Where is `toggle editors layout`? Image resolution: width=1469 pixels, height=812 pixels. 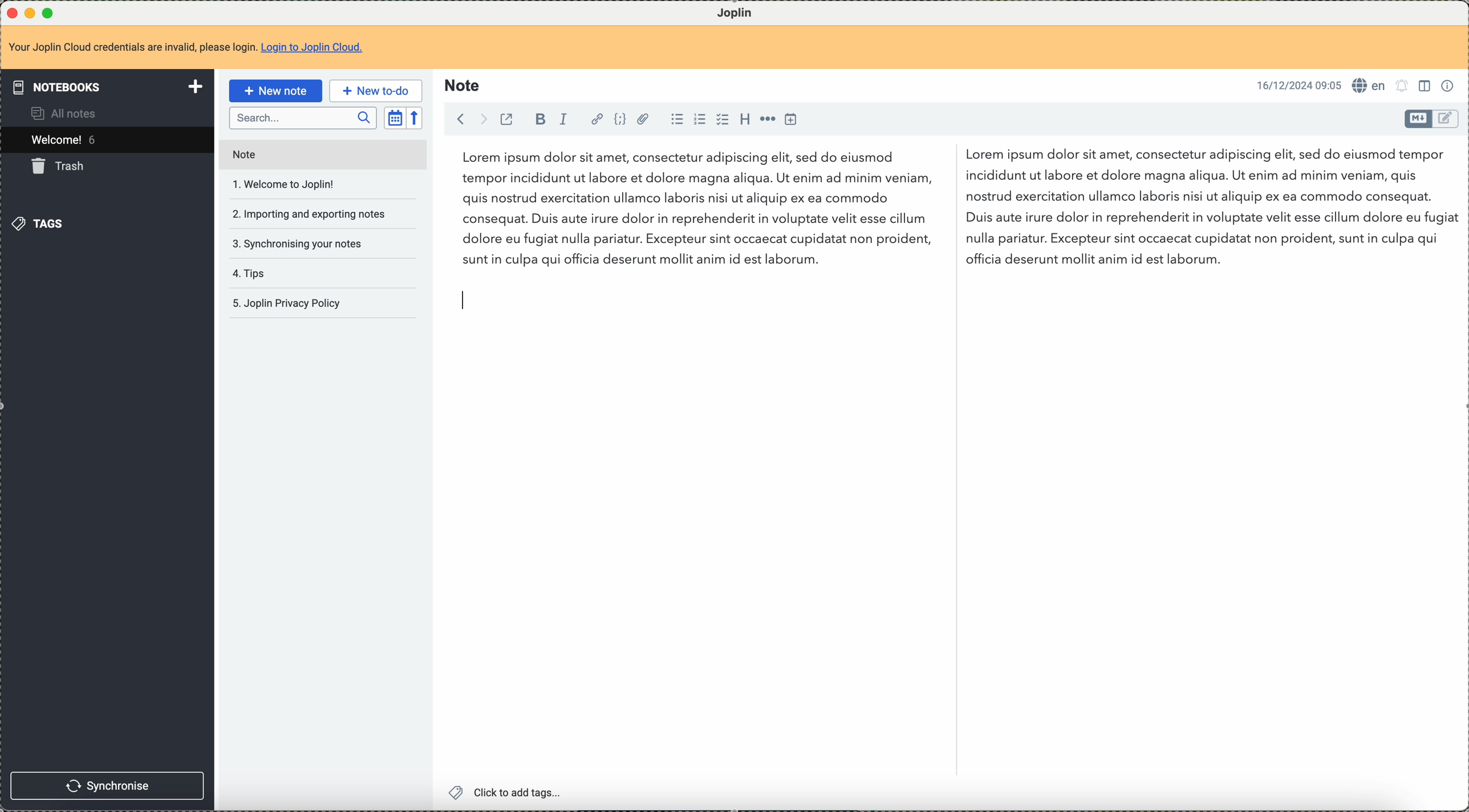
toggle editors layout is located at coordinates (1427, 87).